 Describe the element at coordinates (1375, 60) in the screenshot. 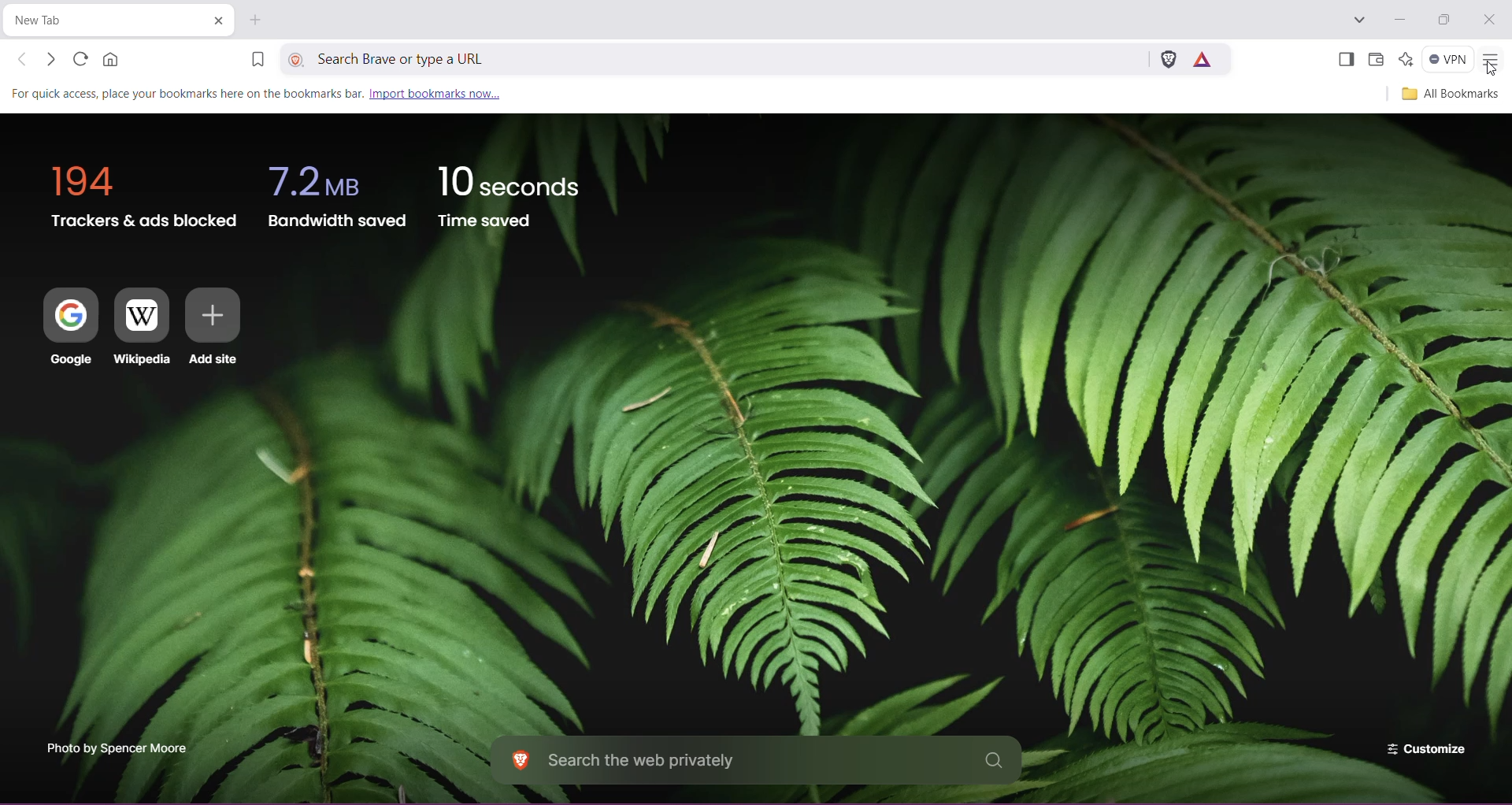

I see `Wallet` at that location.